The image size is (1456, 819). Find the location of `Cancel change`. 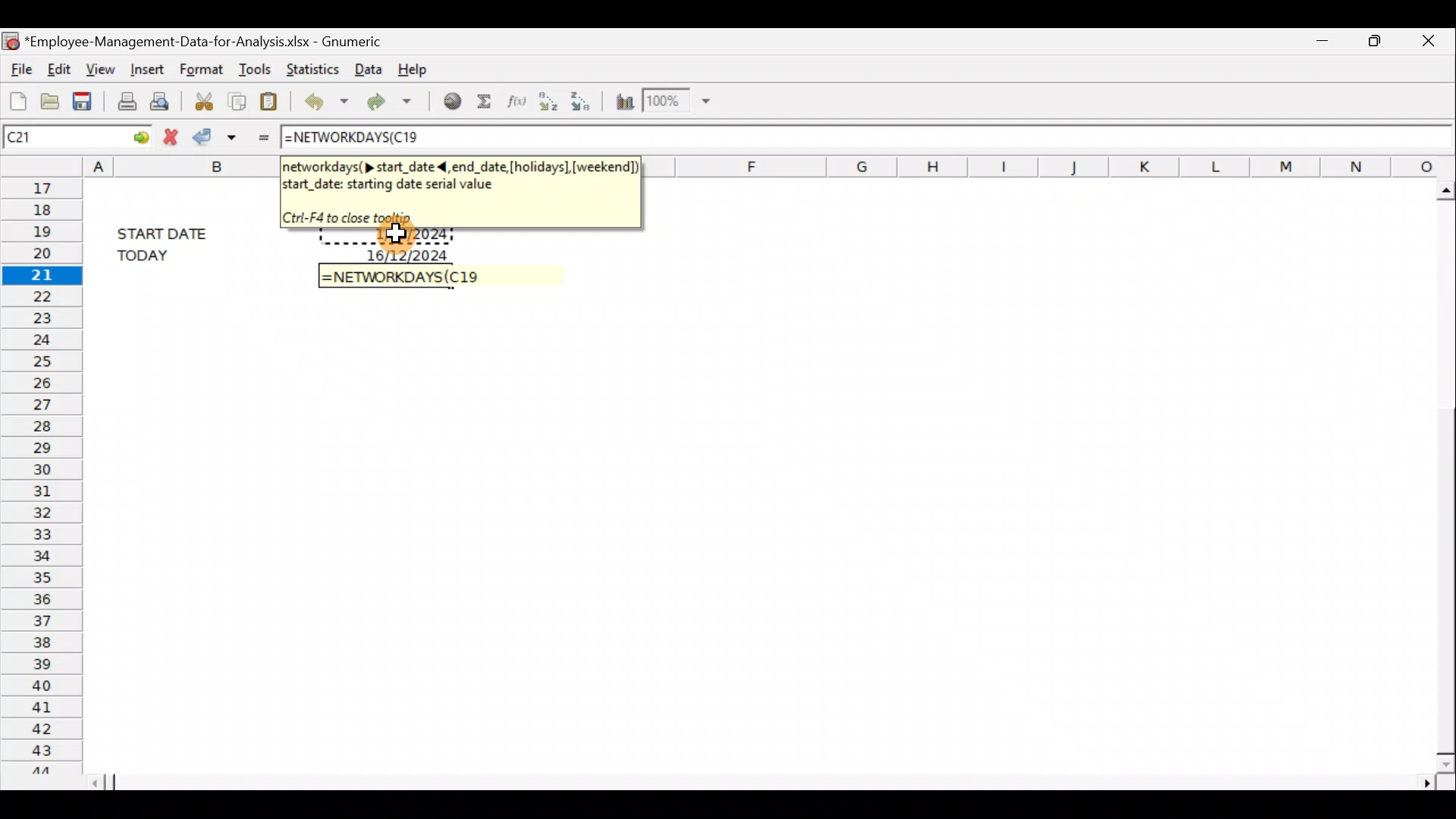

Cancel change is located at coordinates (169, 136).